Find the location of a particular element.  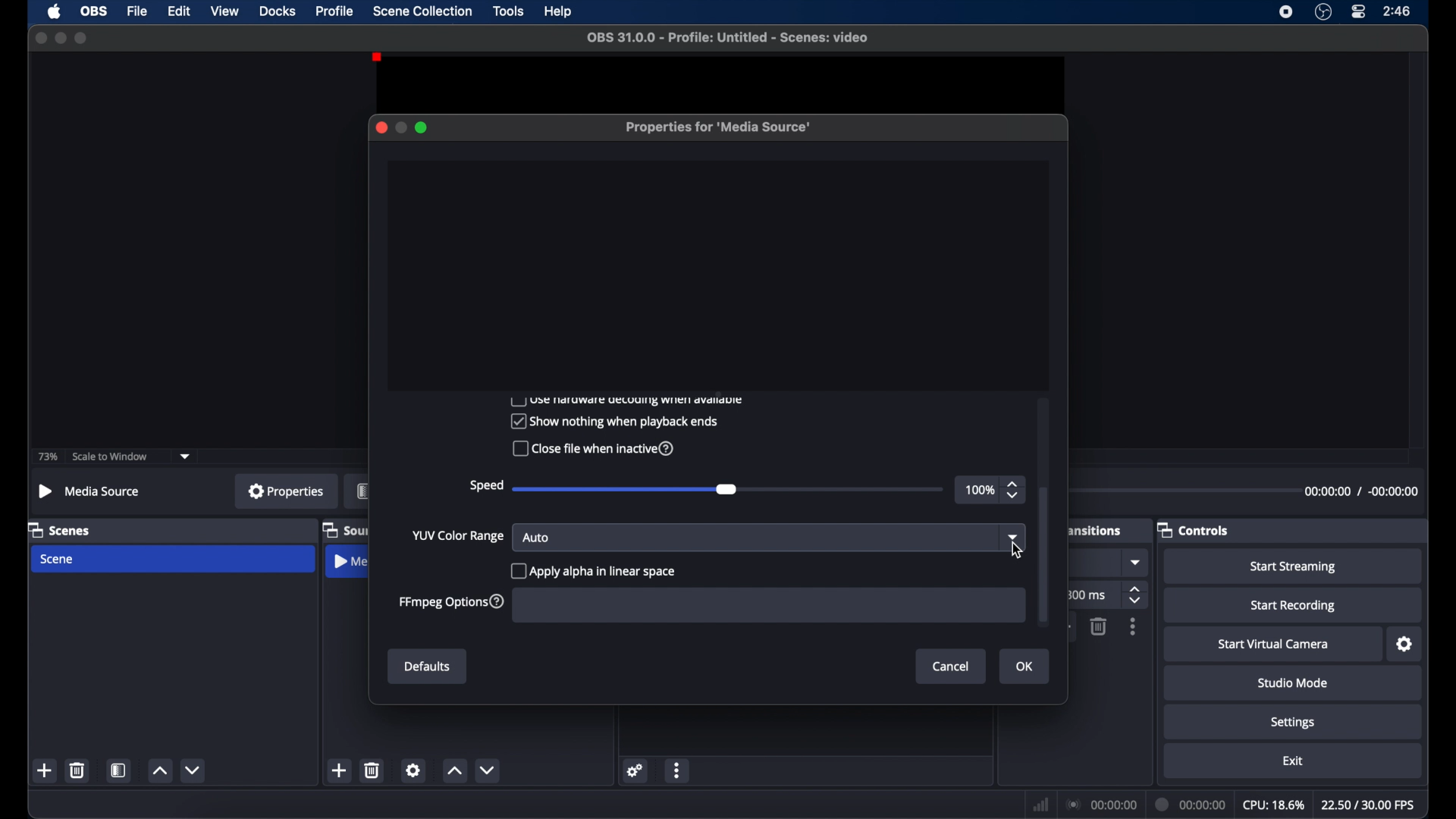

transitions is located at coordinates (1094, 531).